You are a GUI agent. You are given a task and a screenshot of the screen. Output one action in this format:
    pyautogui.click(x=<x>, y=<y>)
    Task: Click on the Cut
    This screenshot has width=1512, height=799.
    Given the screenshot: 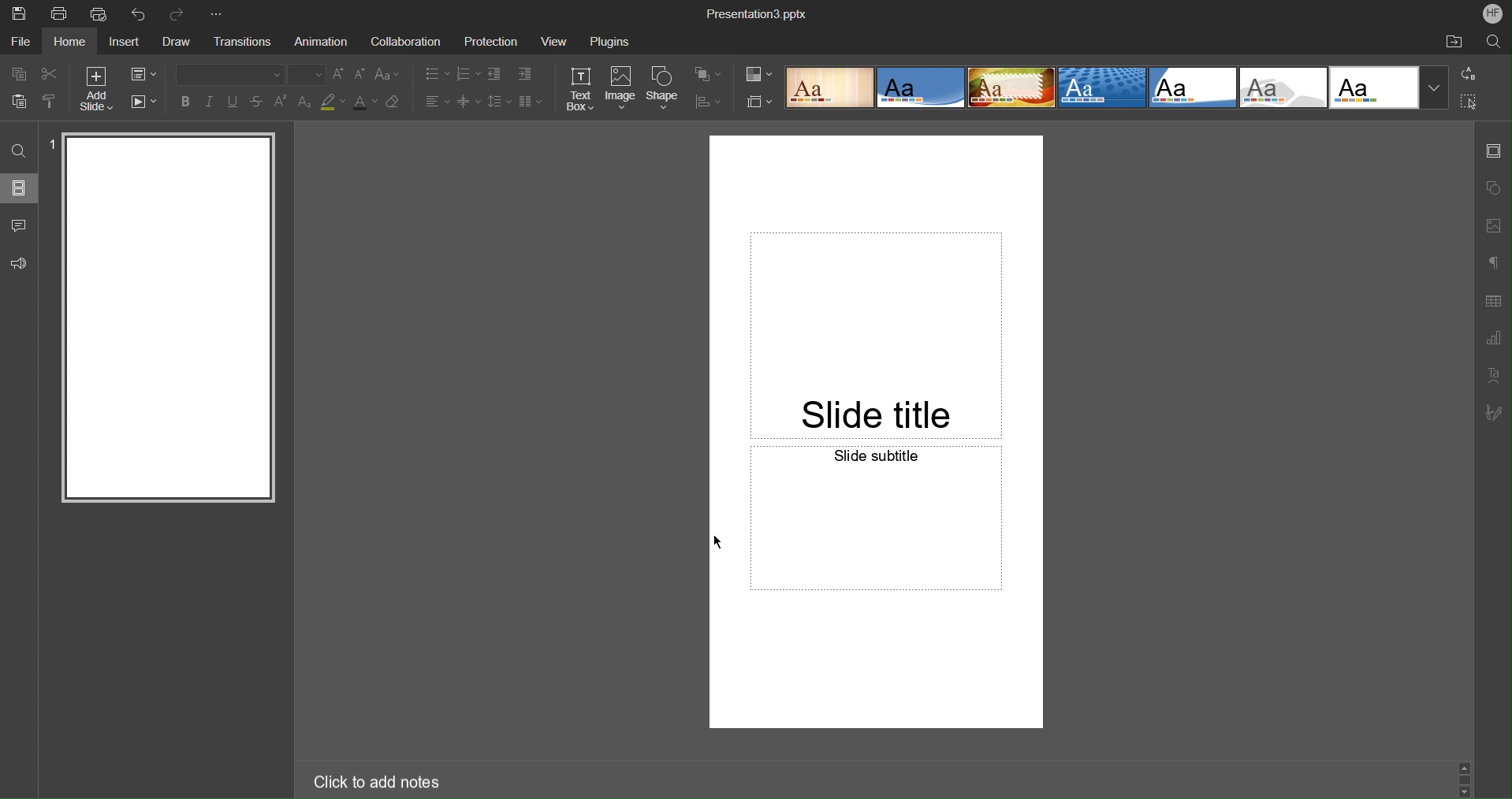 What is the action you would take?
    pyautogui.click(x=50, y=74)
    